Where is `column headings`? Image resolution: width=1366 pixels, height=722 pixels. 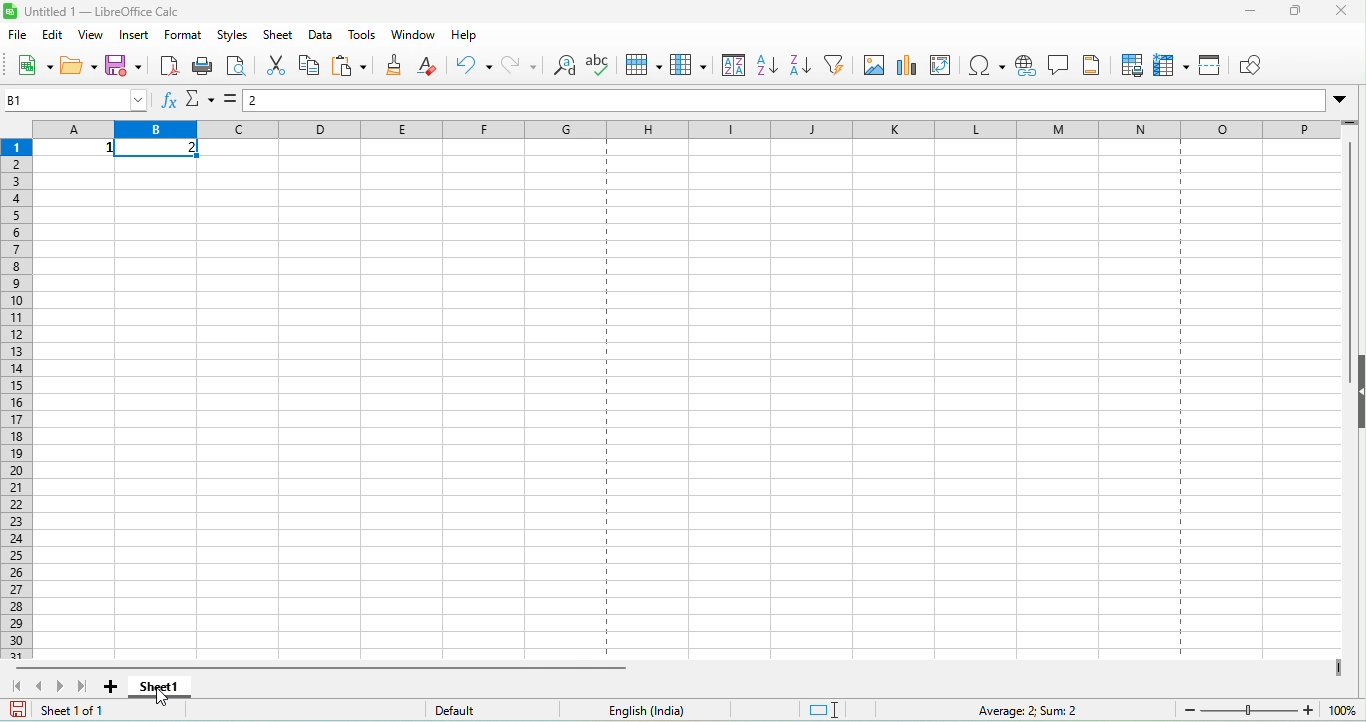
column headings is located at coordinates (684, 129).